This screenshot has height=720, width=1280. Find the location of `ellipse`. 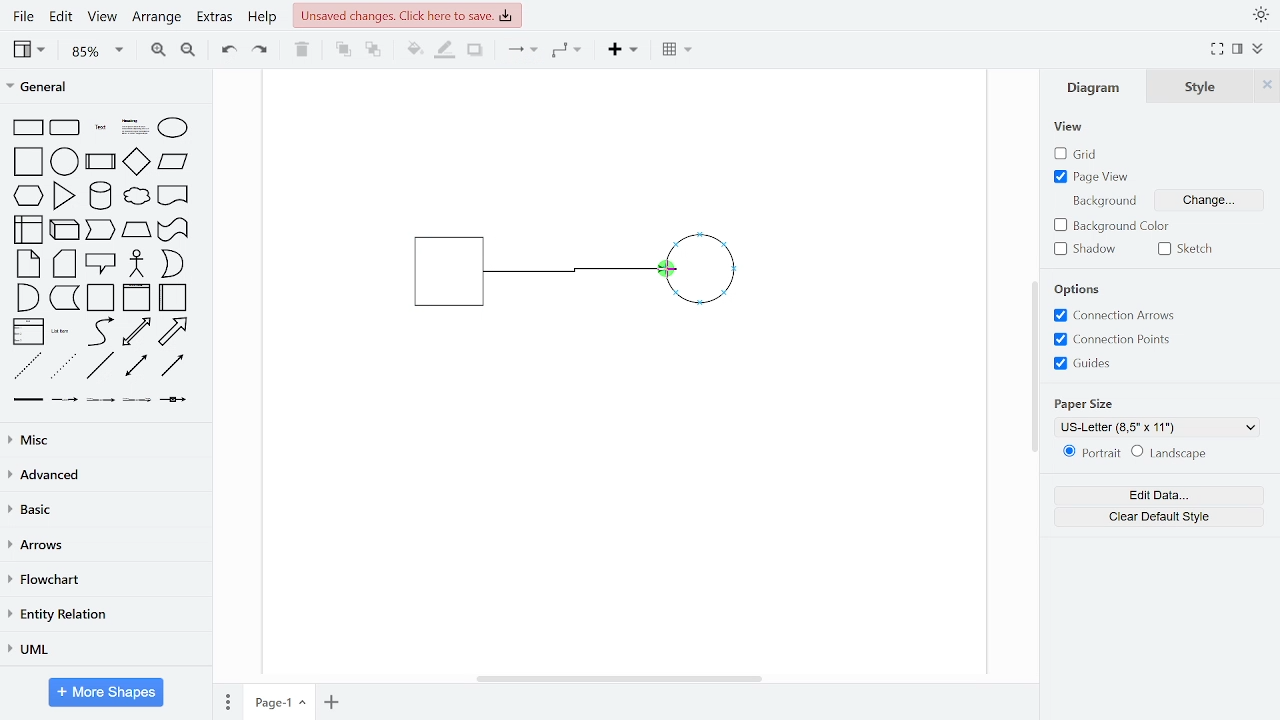

ellipse is located at coordinates (177, 129).